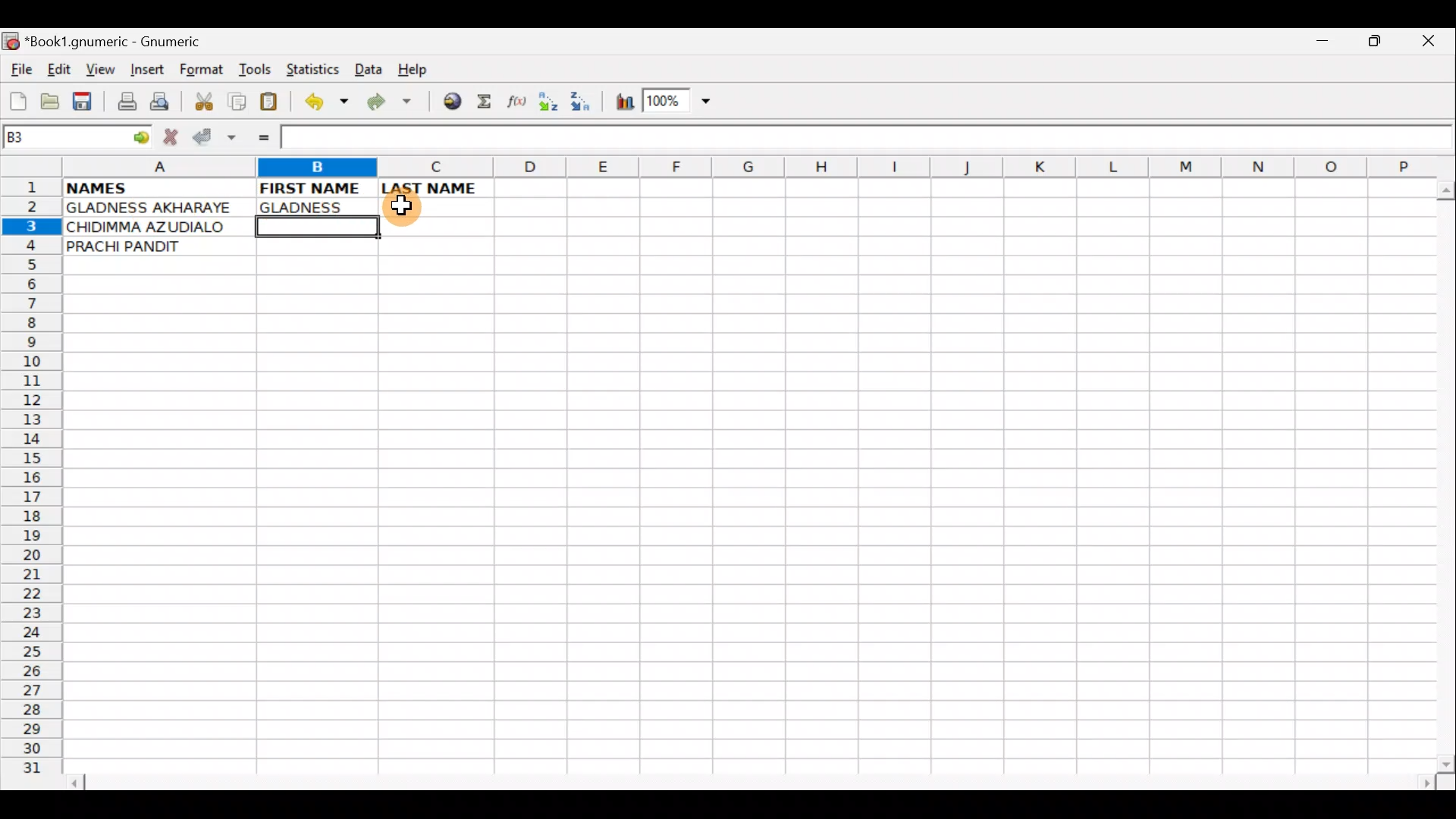 The image size is (1456, 819). What do you see at coordinates (1319, 45) in the screenshot?
I see `Minimize` at bounding box center [1319, 45].